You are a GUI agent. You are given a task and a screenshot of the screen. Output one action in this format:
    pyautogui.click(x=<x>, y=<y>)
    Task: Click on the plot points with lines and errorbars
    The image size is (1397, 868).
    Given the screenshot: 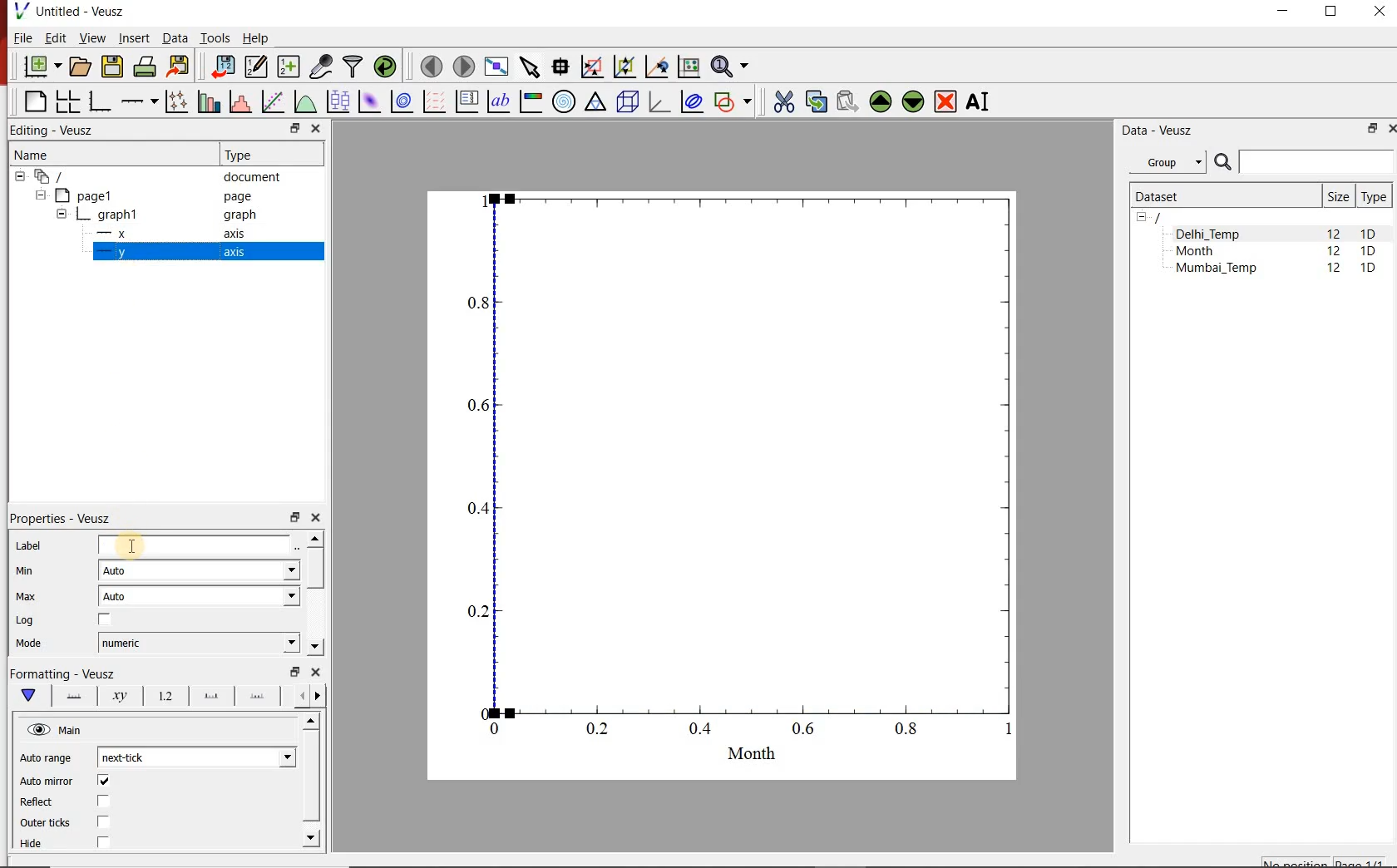 What is the action you would take?
    pyautogui.click(x=175, y=102)
    